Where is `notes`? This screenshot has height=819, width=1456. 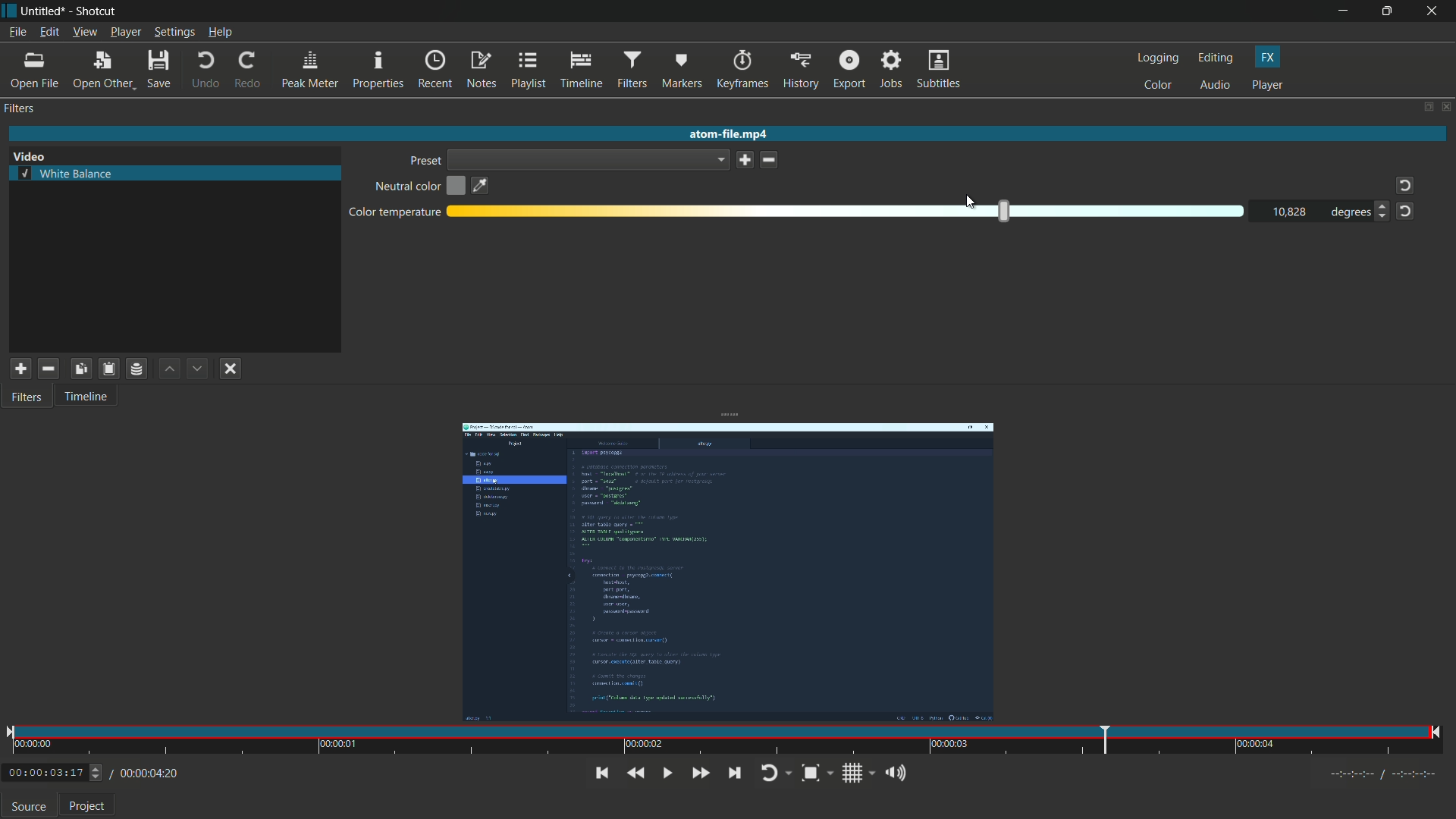 notes is located at coordinates (481, 71).